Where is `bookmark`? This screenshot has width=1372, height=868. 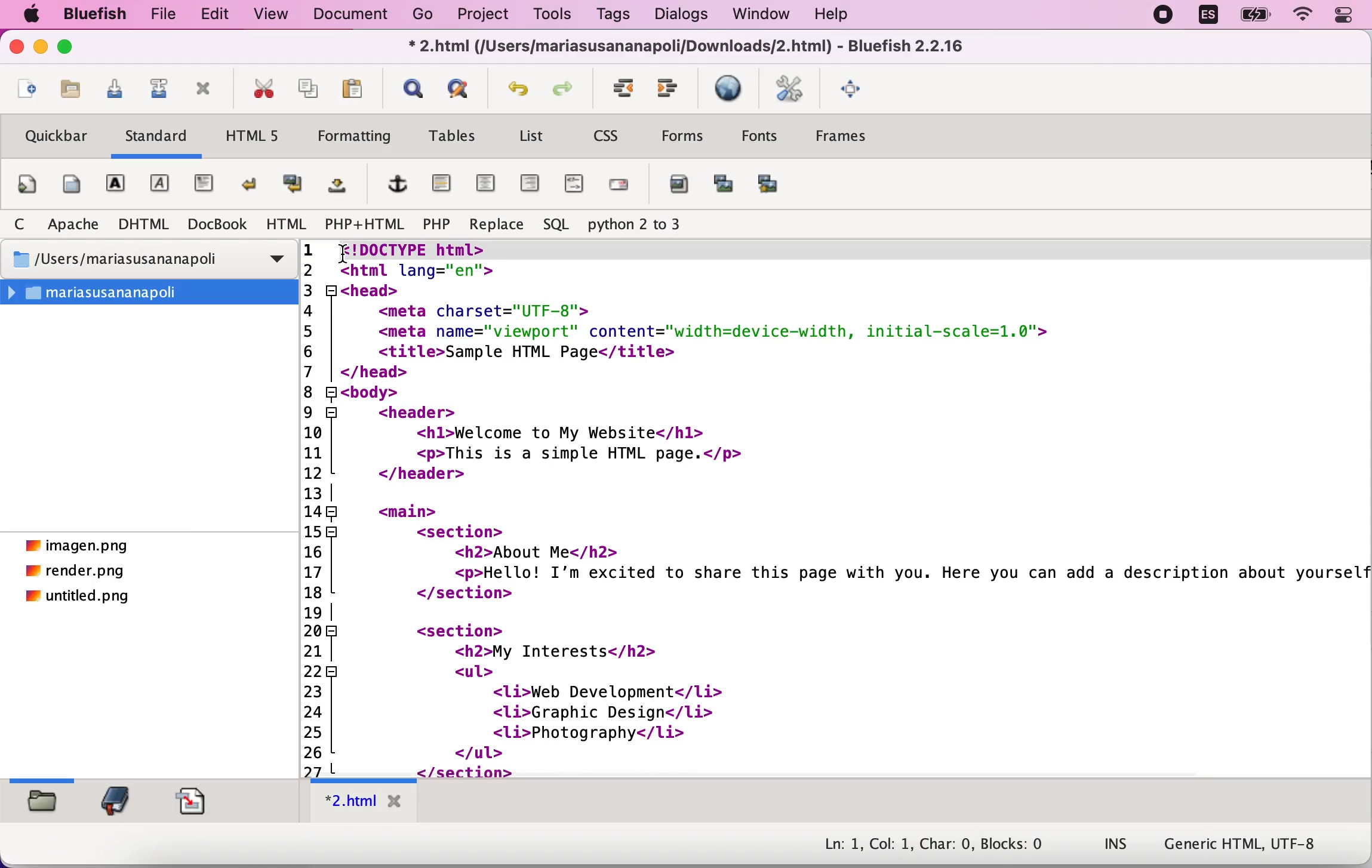 bookmark is located at coordinates (116, 802).